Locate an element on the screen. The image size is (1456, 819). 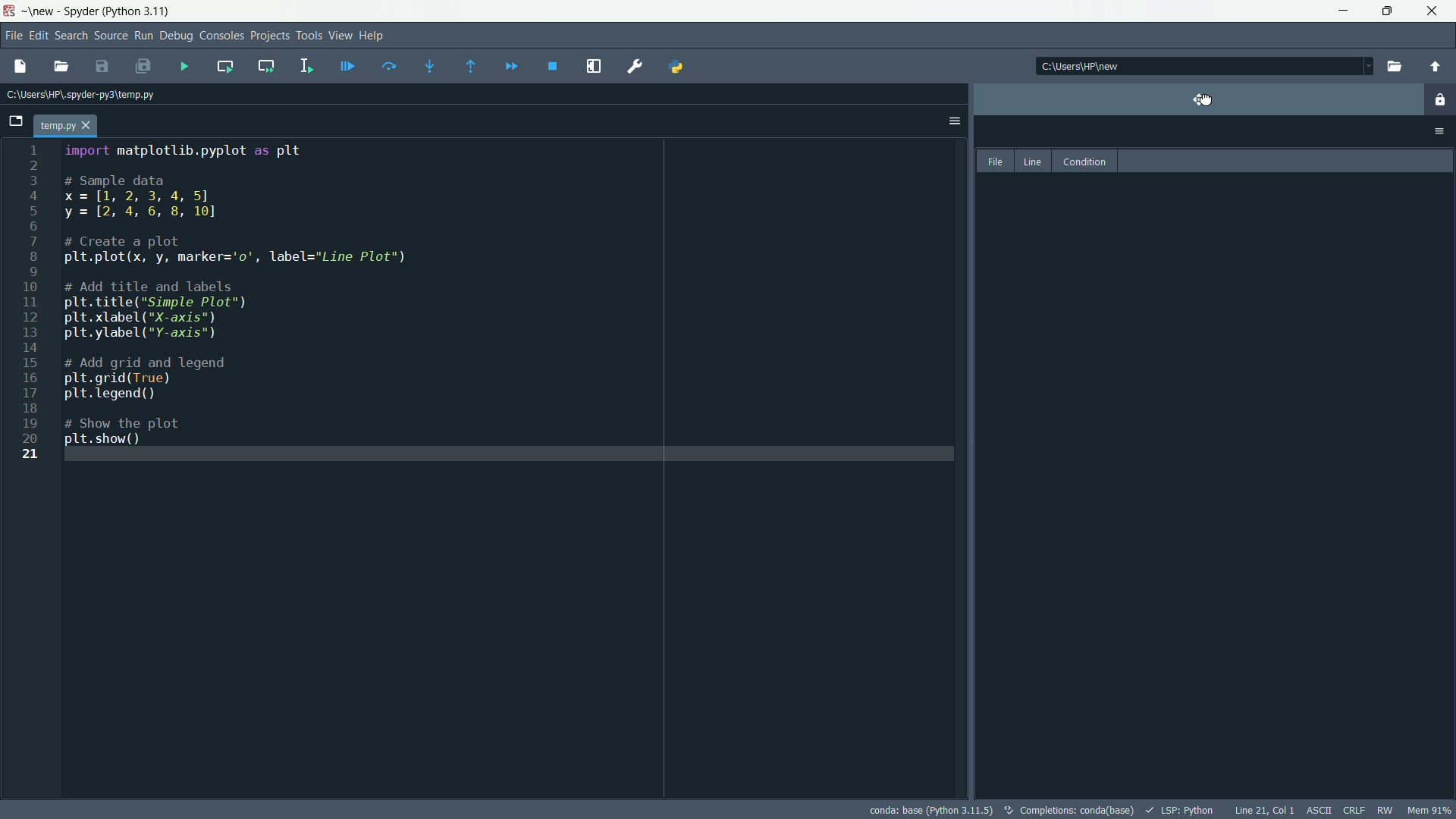
step into function is located at coordinates (425, 66).